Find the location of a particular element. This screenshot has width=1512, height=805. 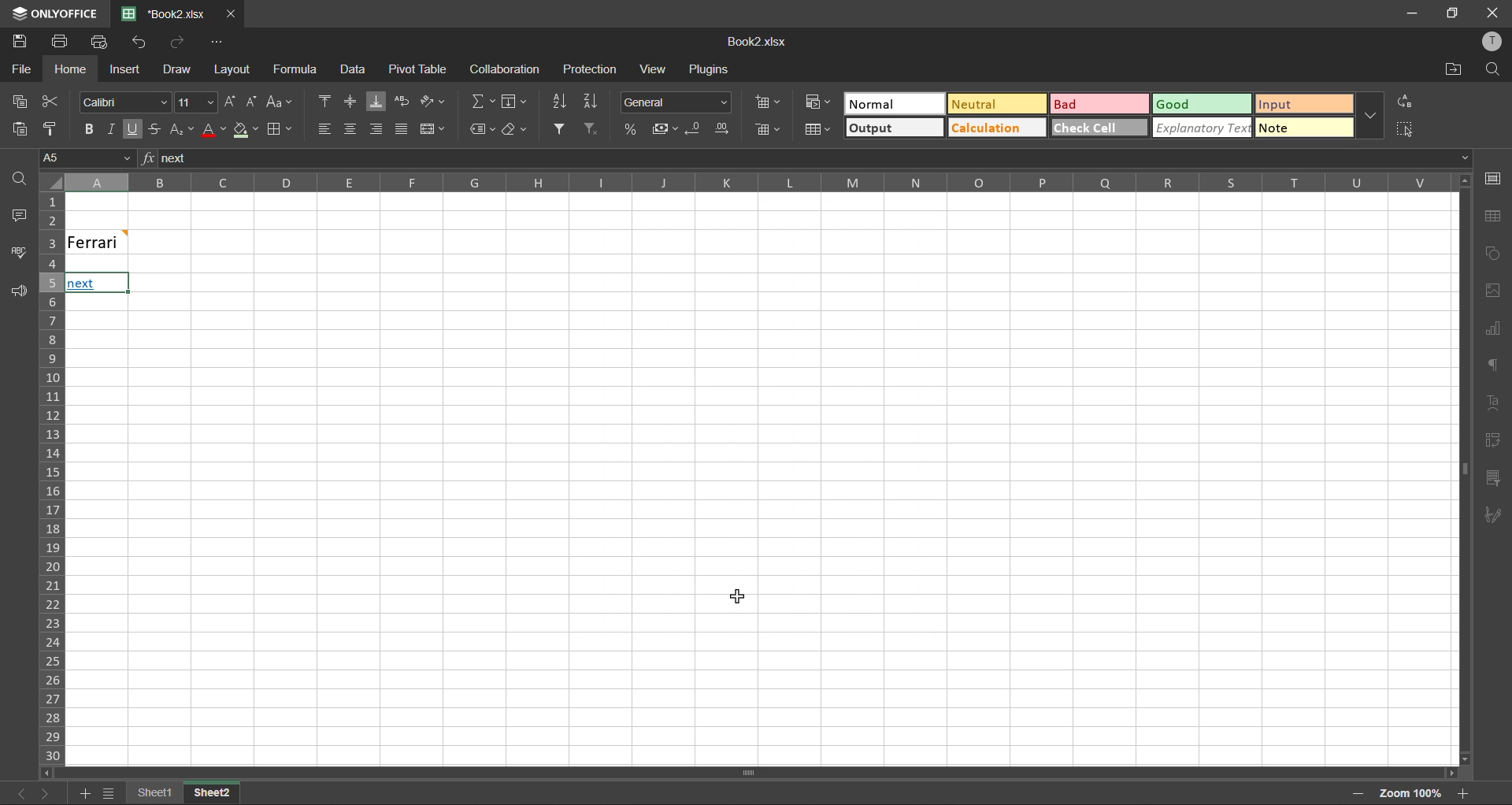

image is located at coordinates (1493, 293).